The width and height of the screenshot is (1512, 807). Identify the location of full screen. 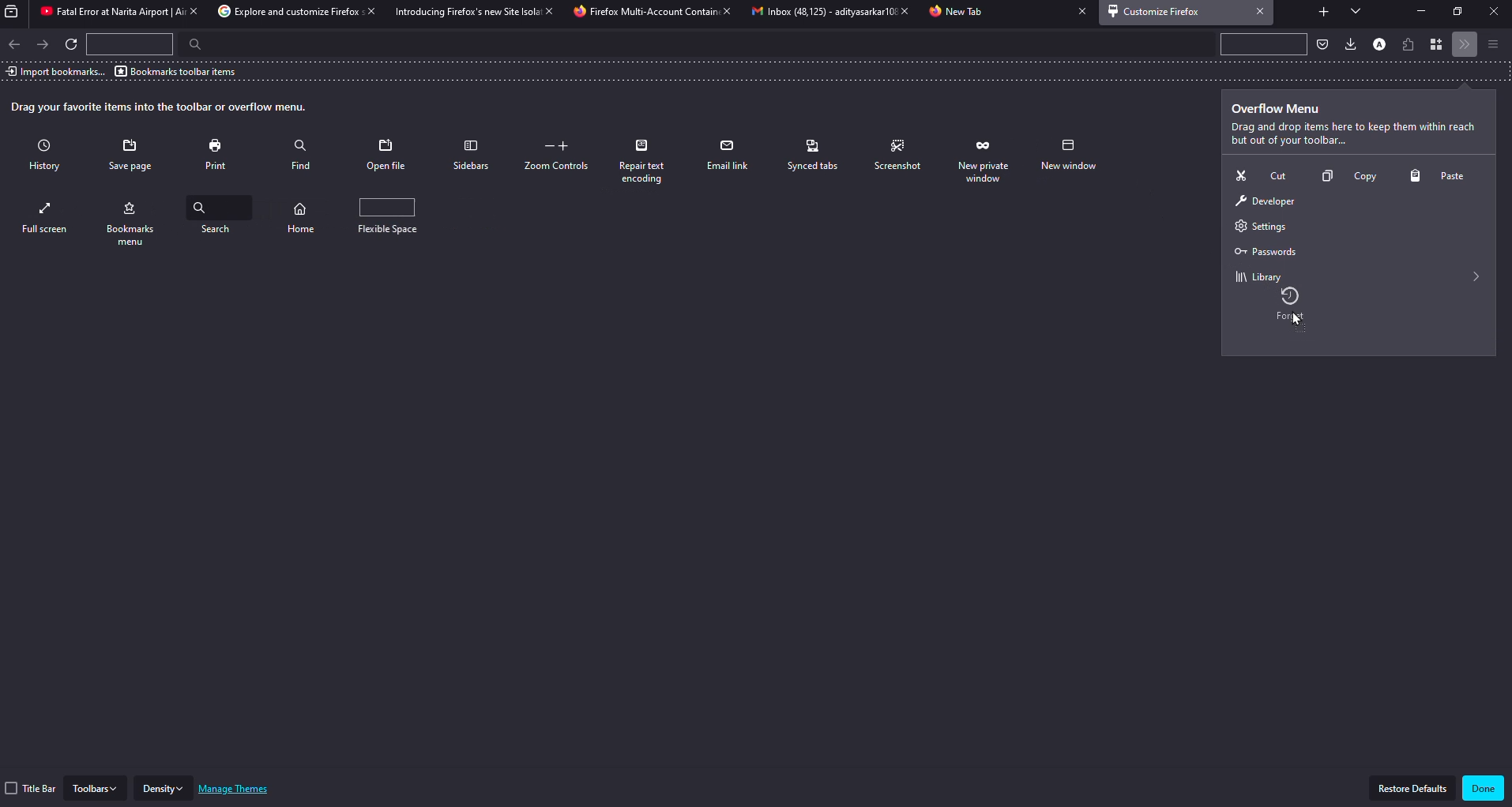
(135, 222).